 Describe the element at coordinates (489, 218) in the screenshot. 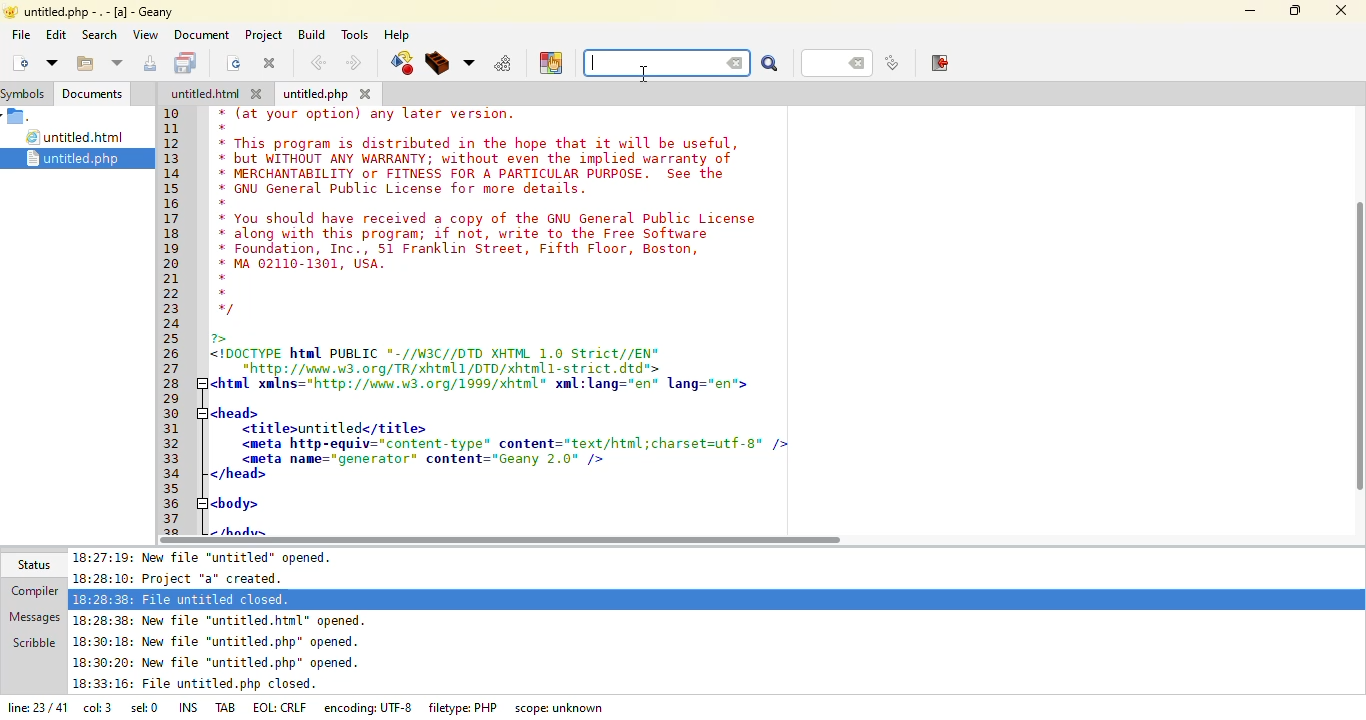

I see `* You should have received a copy of the GNU General Public License` at that location.